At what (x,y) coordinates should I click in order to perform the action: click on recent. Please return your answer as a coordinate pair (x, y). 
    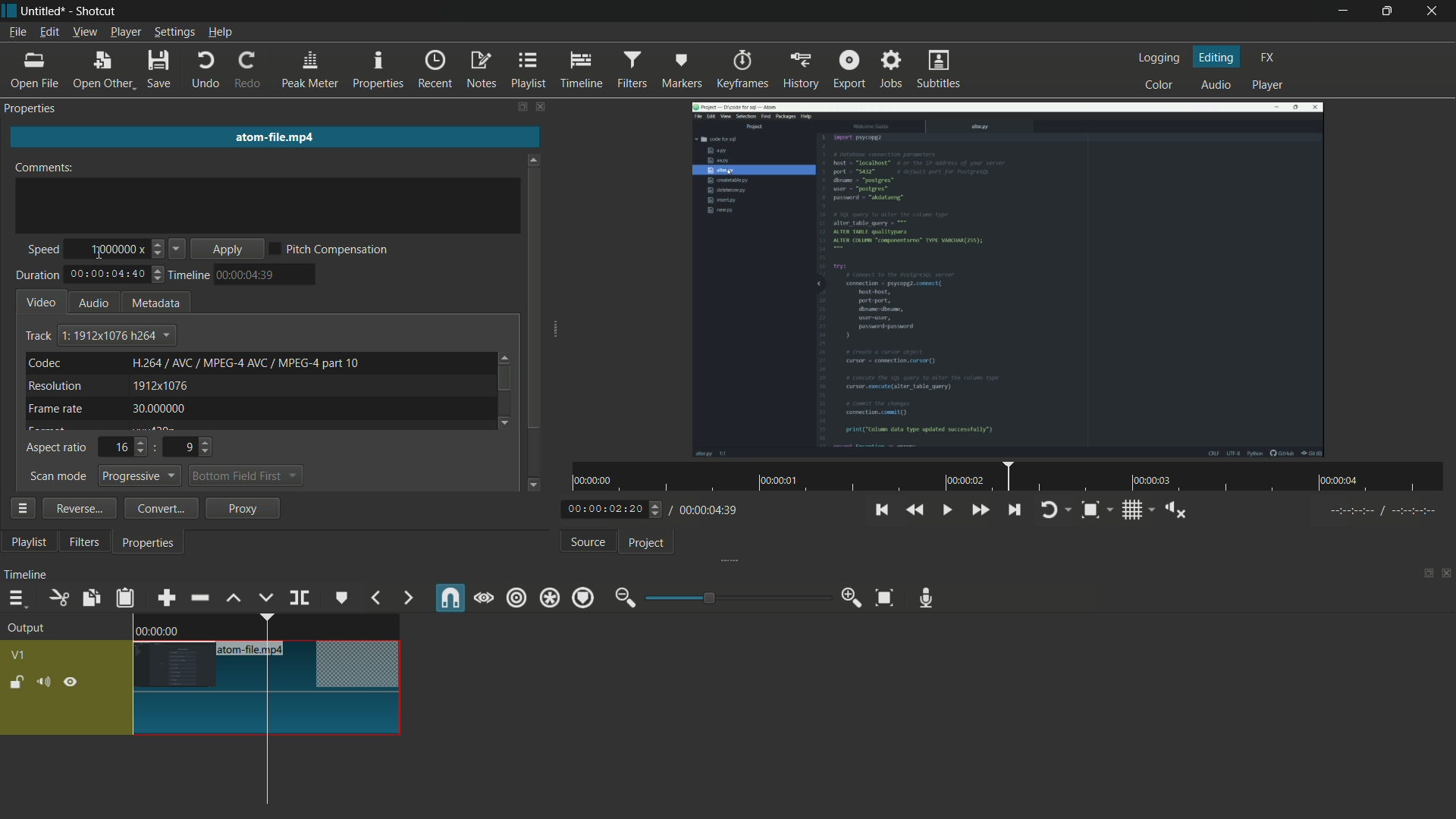
    Looking at the image, I should click on (433, 71).